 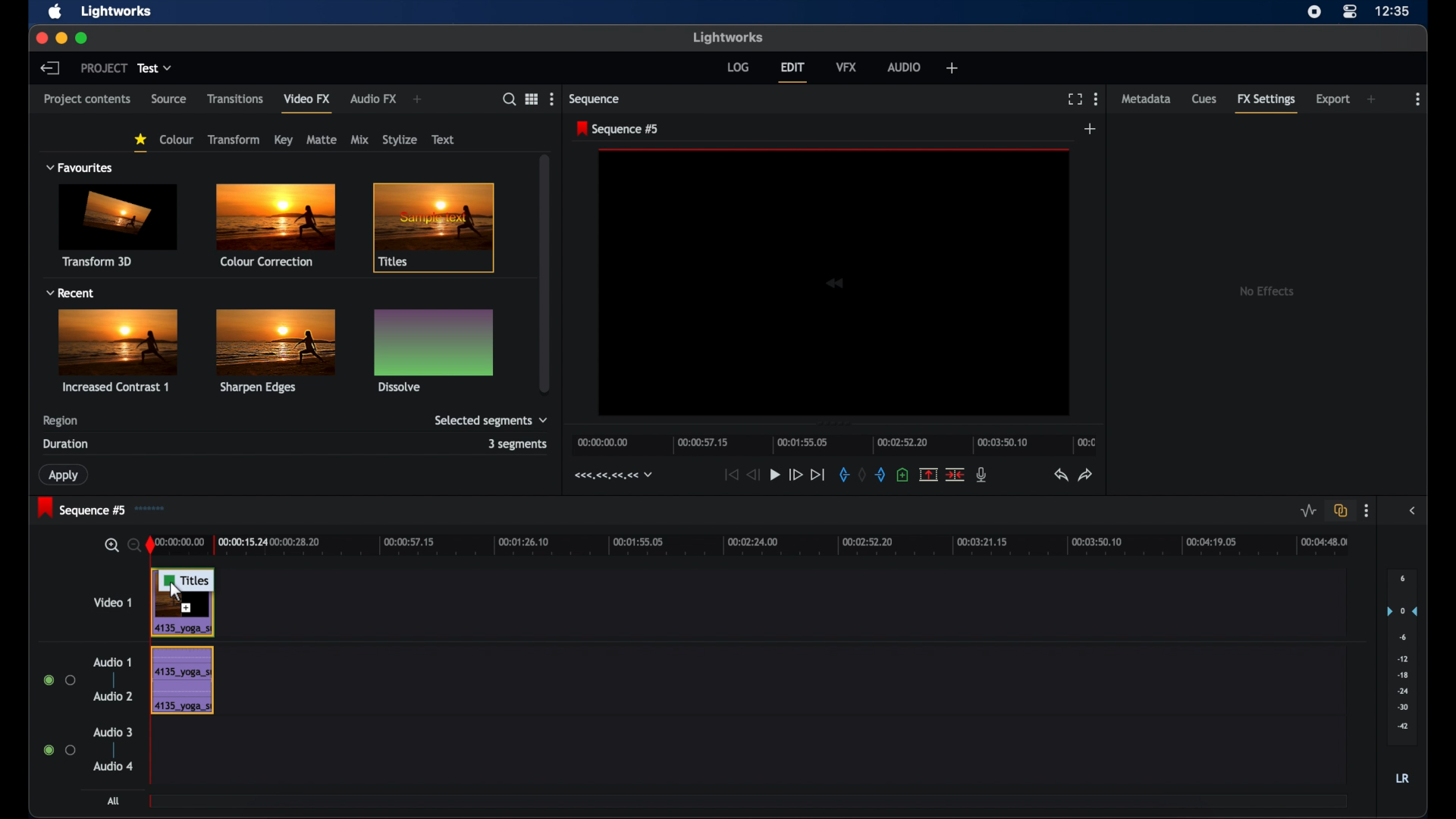 I want to click on minimize, so click(x=61, y=38).